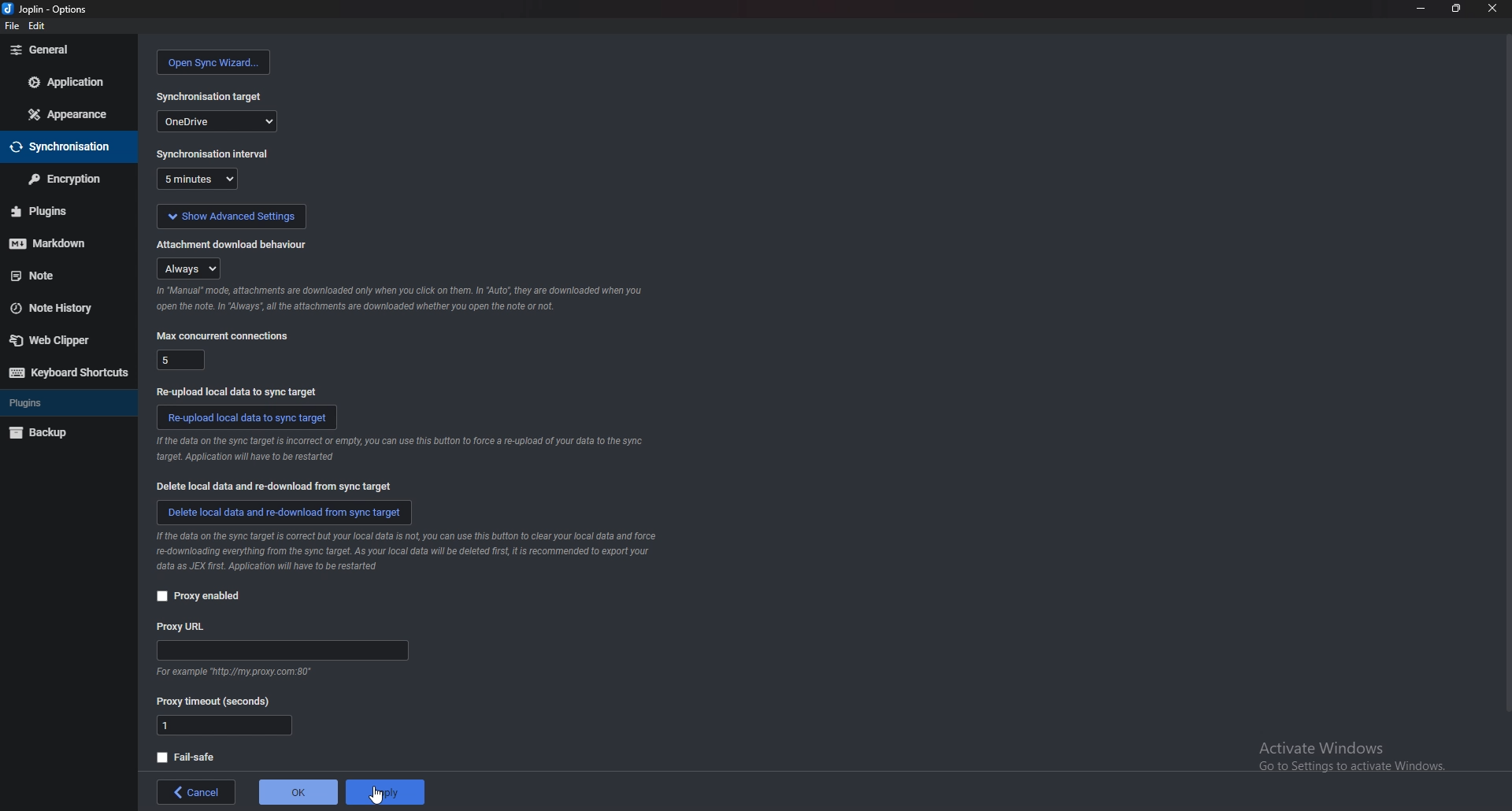 The width and height of the screenshot is (1512, 811). What do you see at coordinates (1458, 9) in the screenshot?
I see `resize` at bounding box center [1458, 9].